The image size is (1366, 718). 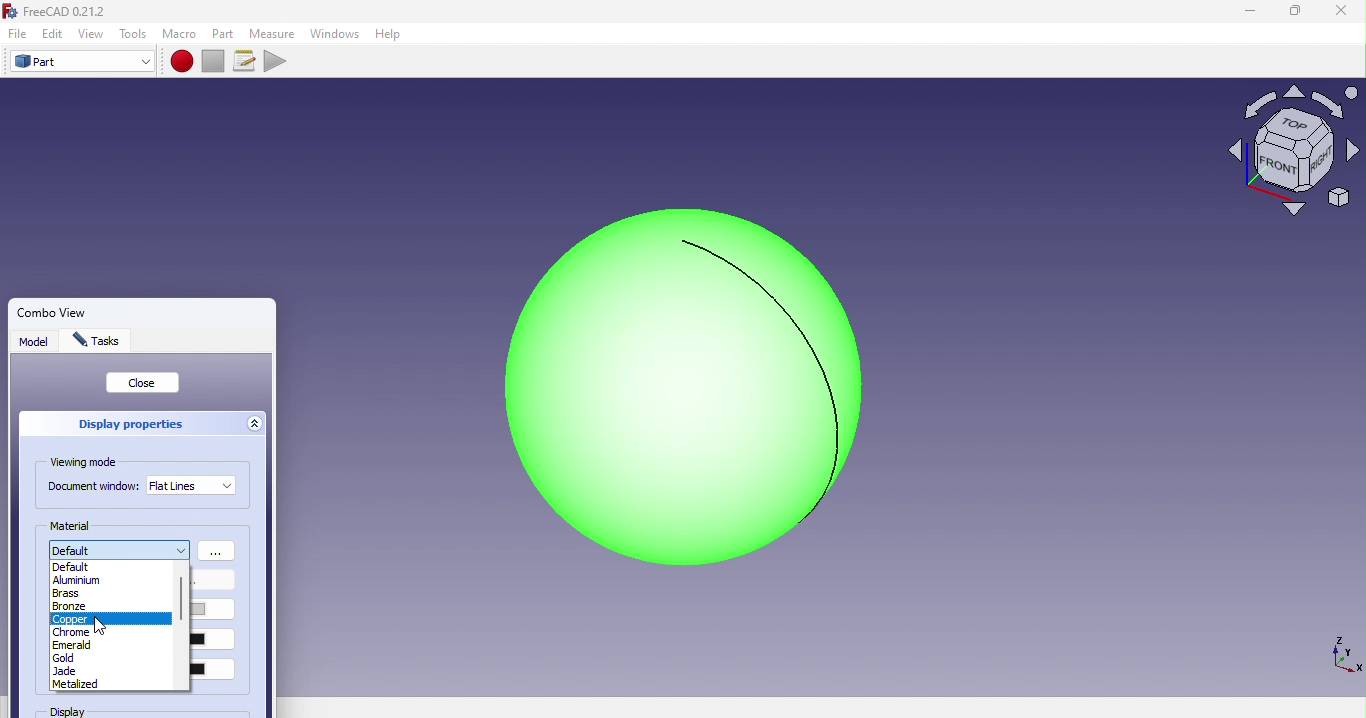 I want to click on File, so click(x=14, y=34).